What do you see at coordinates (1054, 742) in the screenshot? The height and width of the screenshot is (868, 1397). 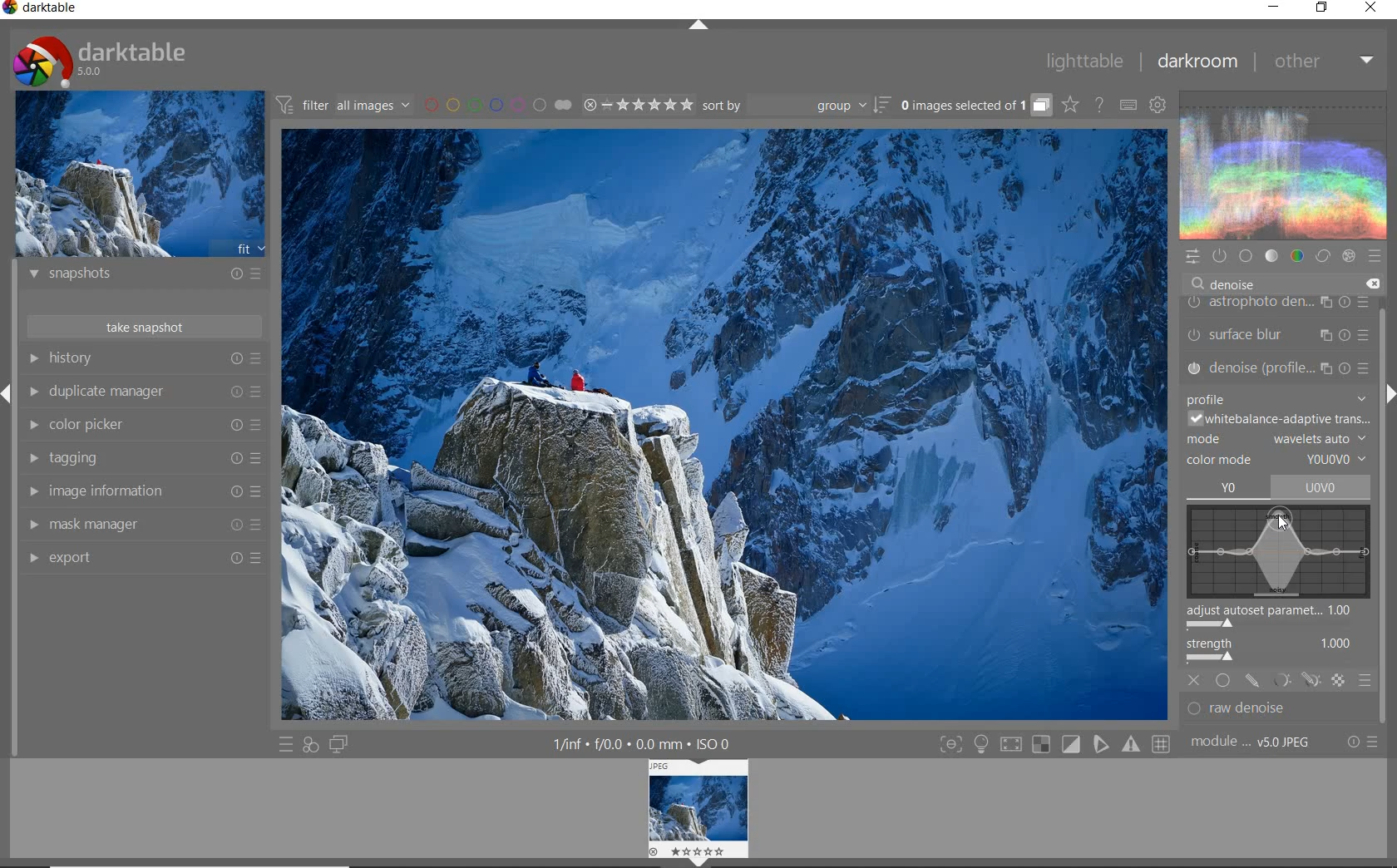 I see `Toggle modes` at bounding box center [1054, 742].